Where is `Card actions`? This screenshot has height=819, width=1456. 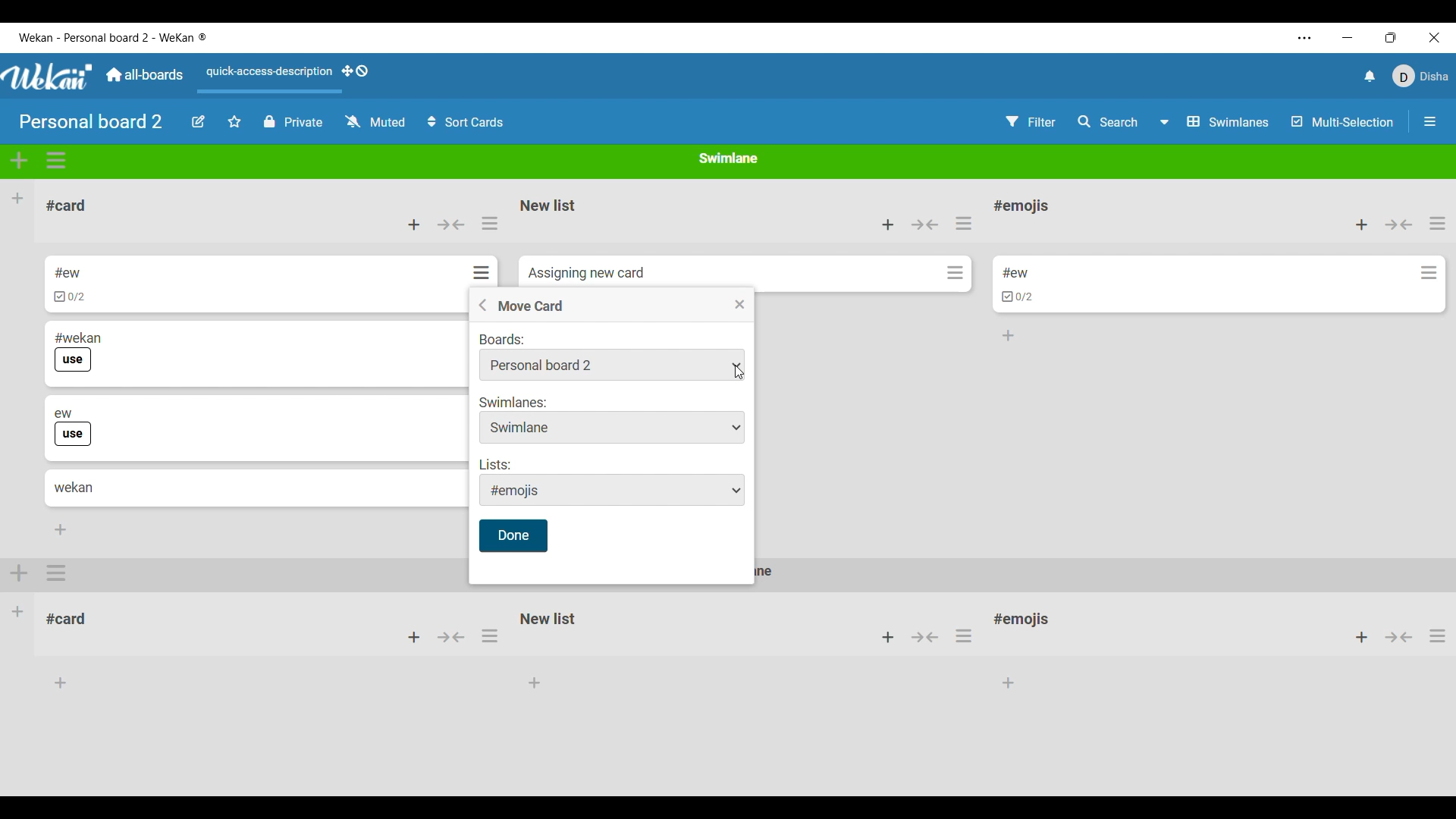
Card actions is located at coordinates (955, 272).